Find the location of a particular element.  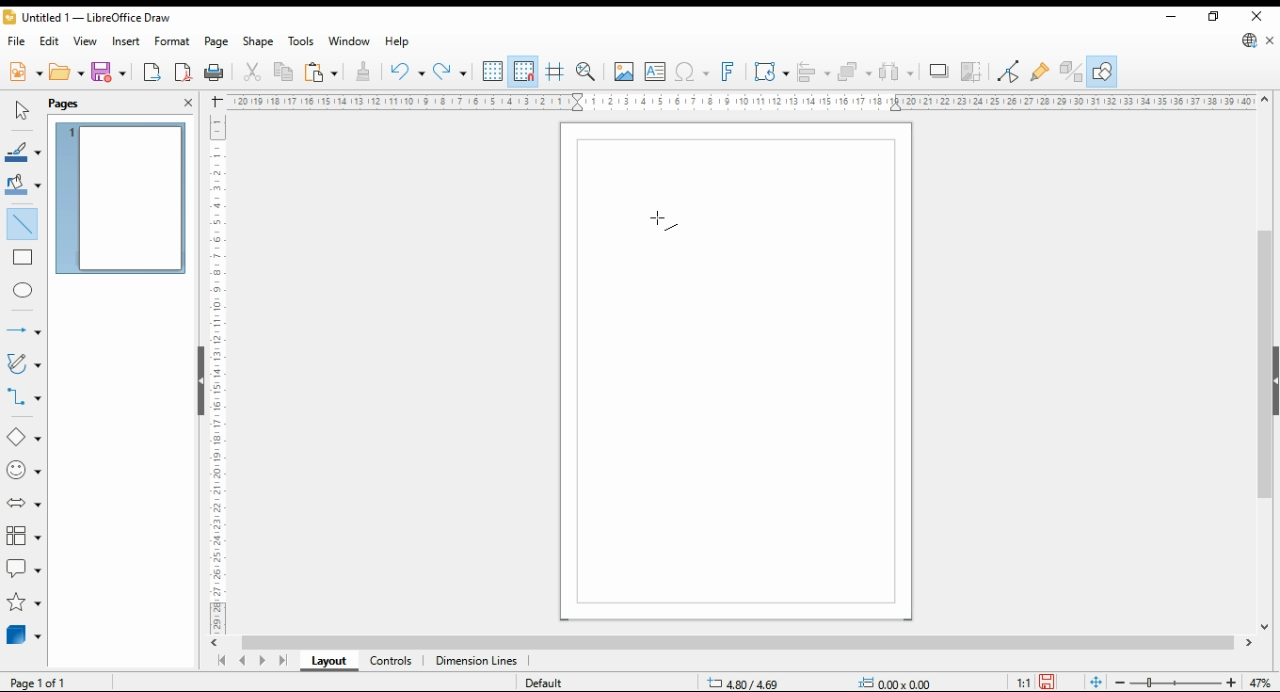

insert fontwork text is located at coordinates (728, 71).